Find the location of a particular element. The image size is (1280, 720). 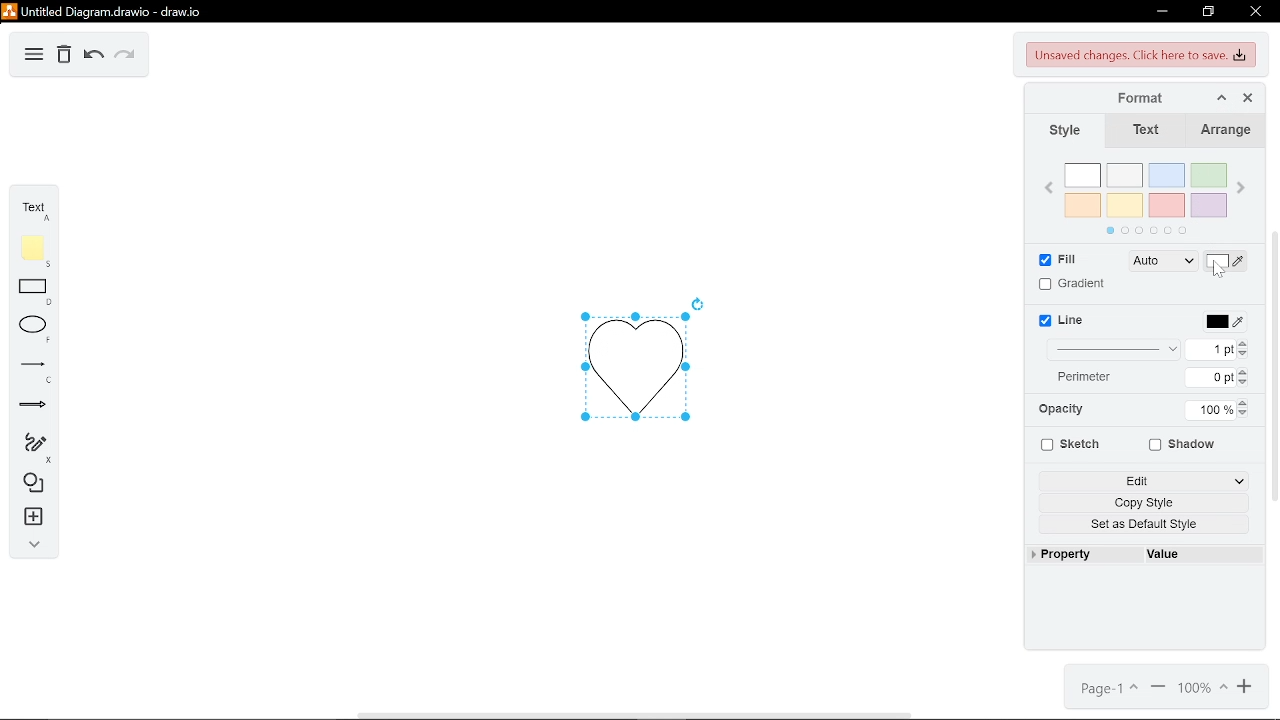

collapse is located at coordinates (33, 546).